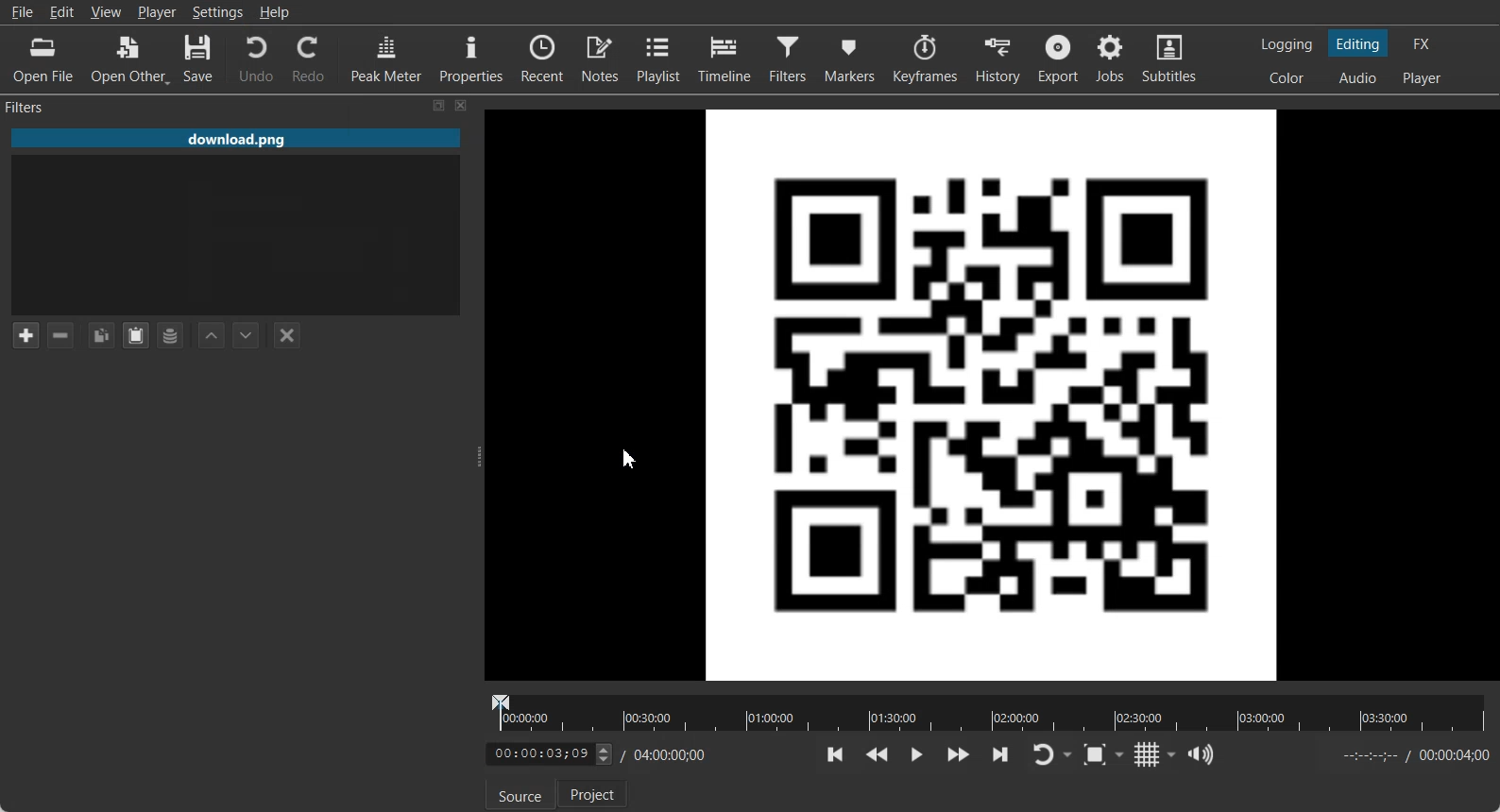 Image resolution: width=1500 pixels, height=812 pixels. I want to click on View, so click(105, 11).